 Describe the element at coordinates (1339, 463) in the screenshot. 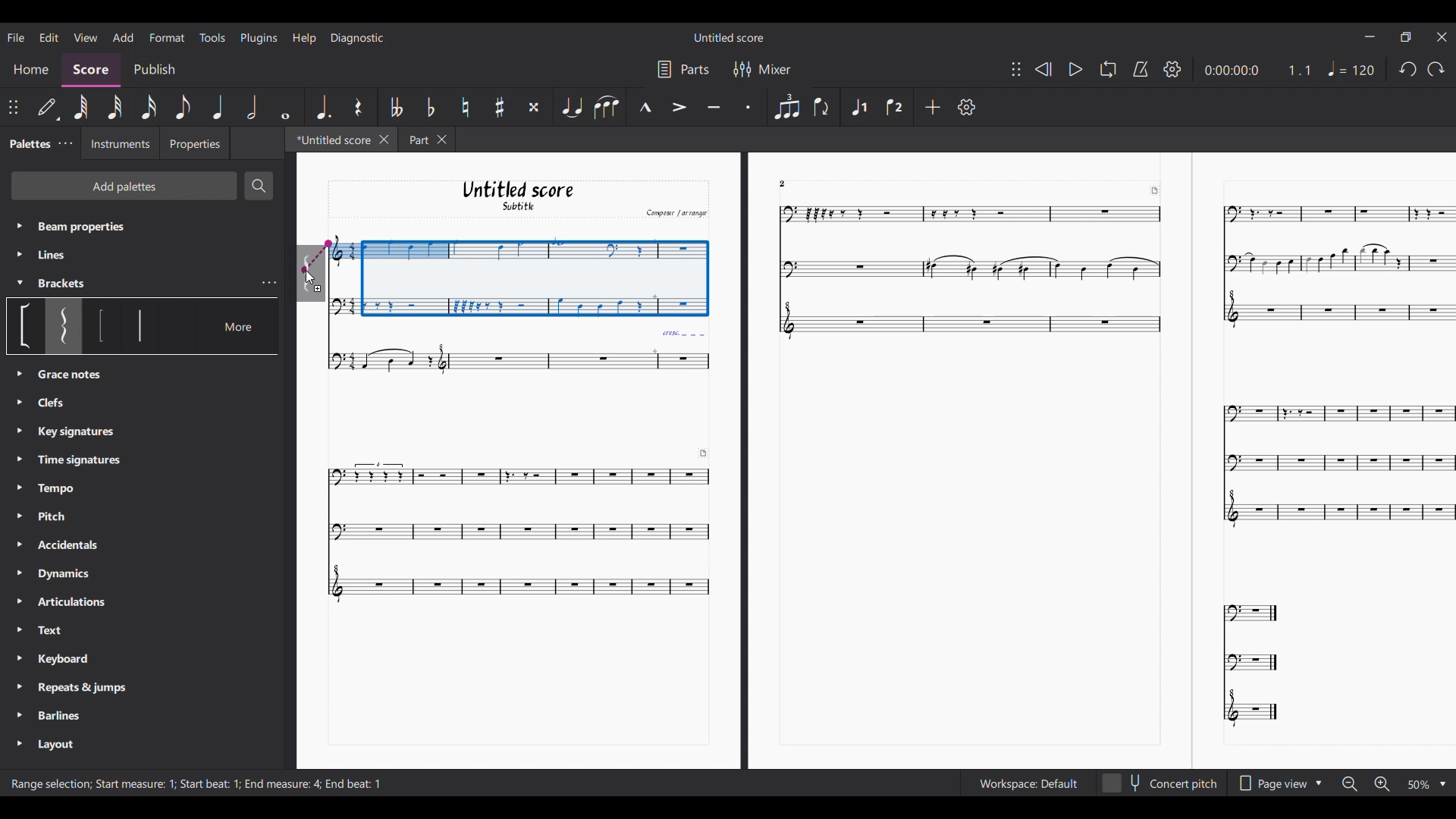

I see `` at that location.